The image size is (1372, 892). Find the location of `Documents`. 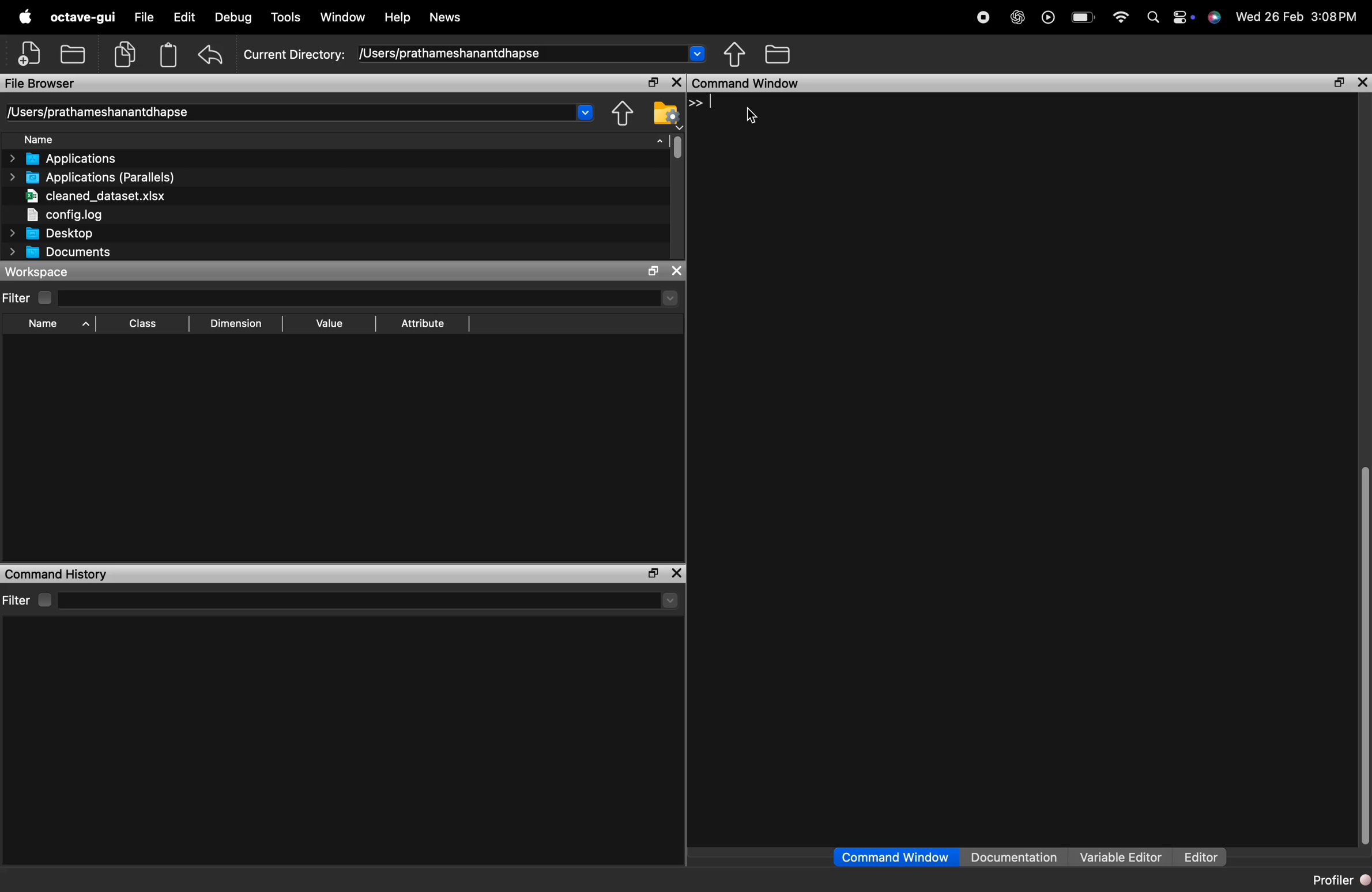

Documents is located at coordinates (58, 252).